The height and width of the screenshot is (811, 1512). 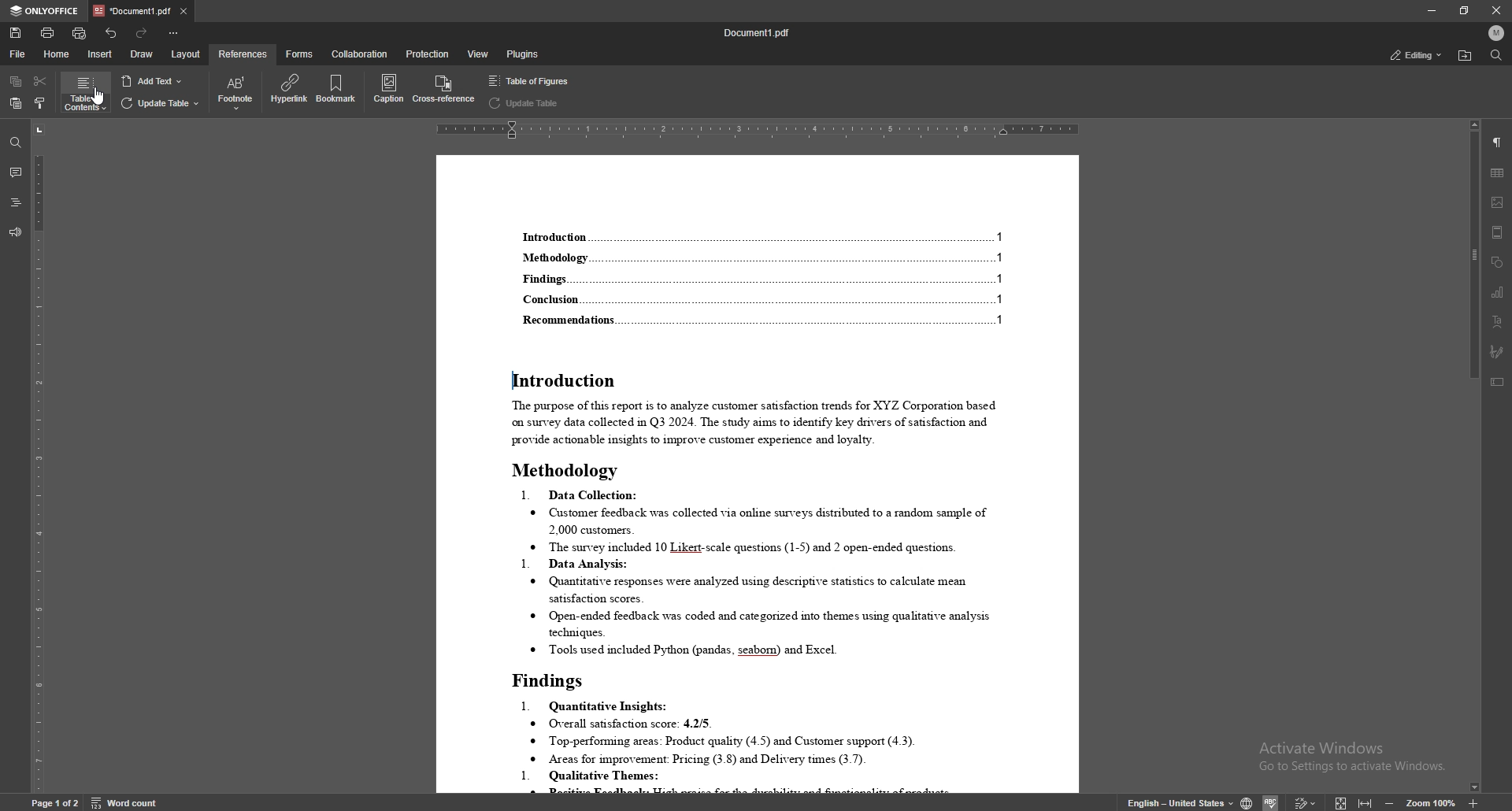 What do you see at coordinates (1496, 261) in the screenshot?
I see `shapes` at bounding box center [1496, 261].